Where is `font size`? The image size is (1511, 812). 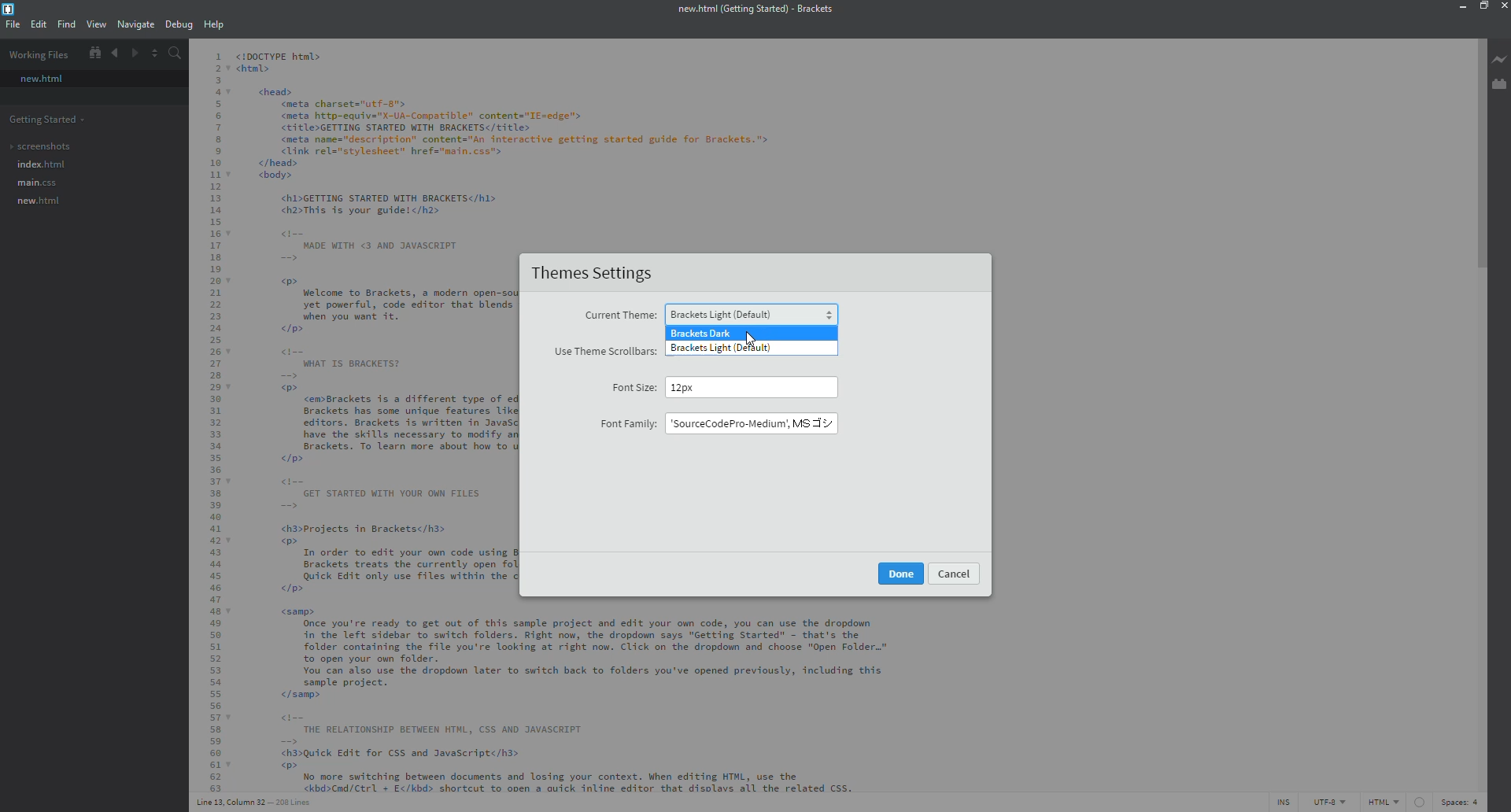
font size is located at coordinates (636, 386).